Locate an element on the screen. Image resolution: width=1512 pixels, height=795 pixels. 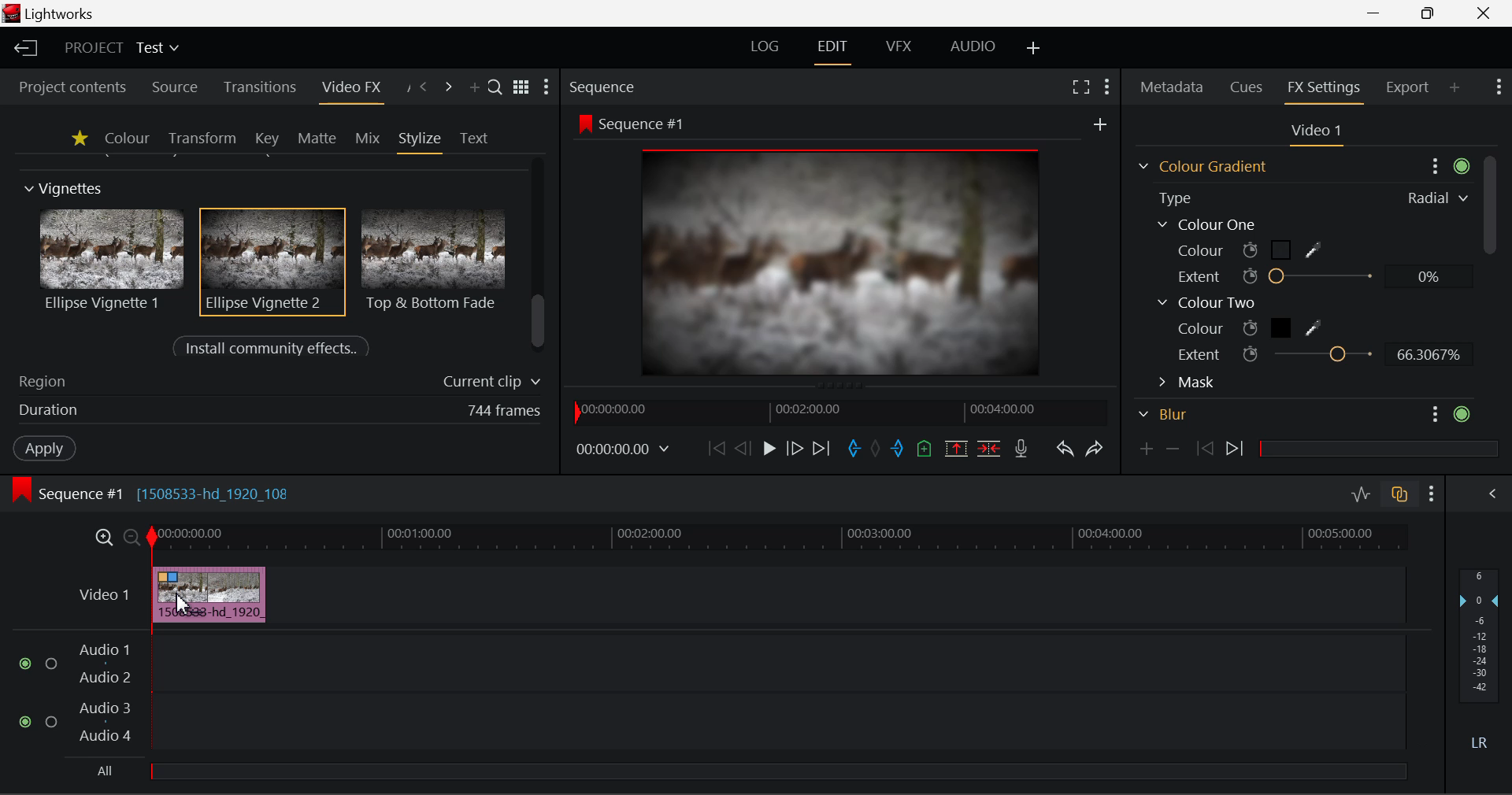
Extent © O + 663067% is located at coordinates (1316, 355).